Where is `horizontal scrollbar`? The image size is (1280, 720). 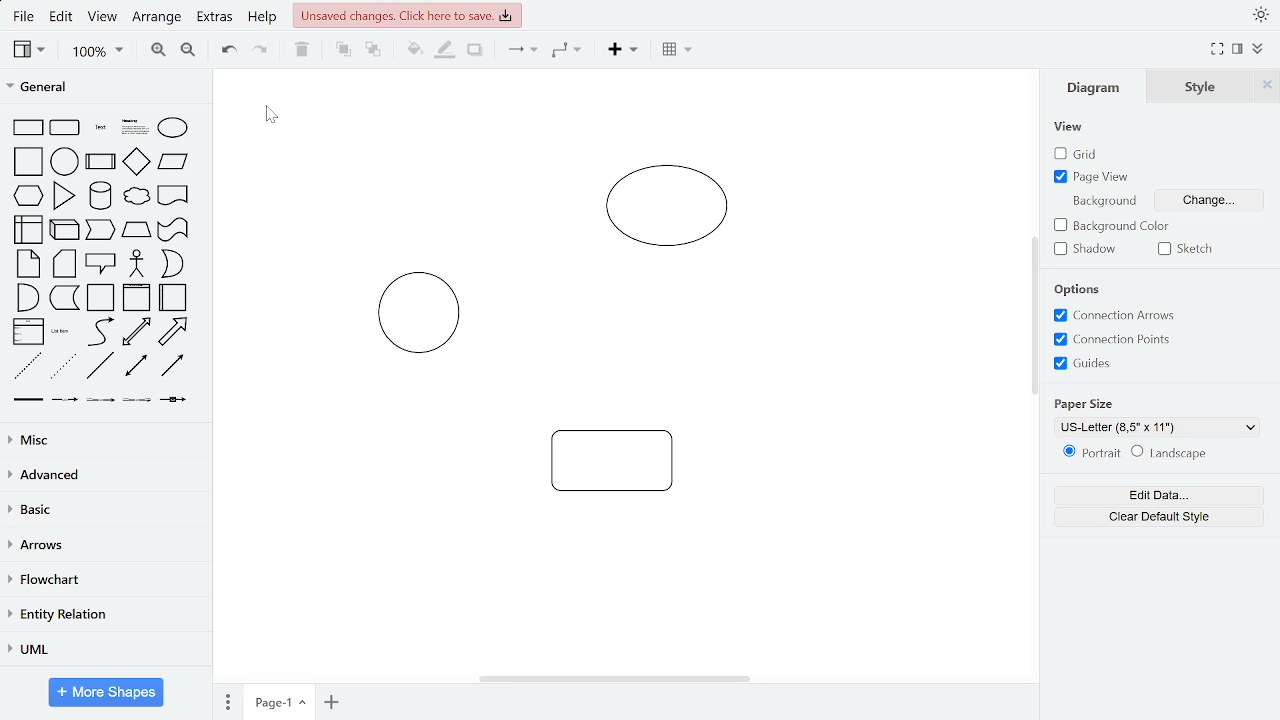
horizontal scrollbar is located at coordinates (614, 677).